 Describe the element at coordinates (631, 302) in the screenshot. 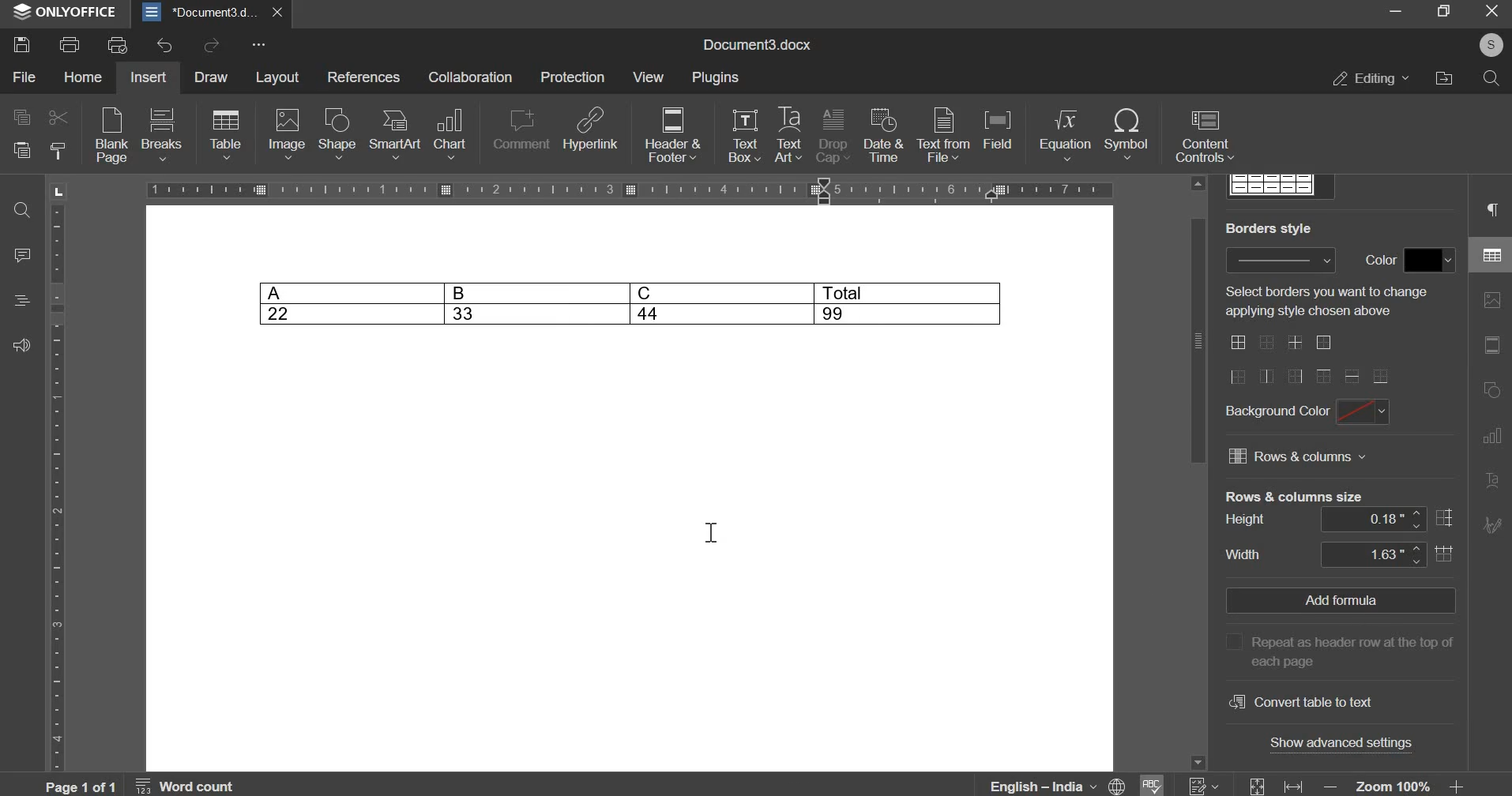

I see `A B C Total 22 33 44 99` at that location.